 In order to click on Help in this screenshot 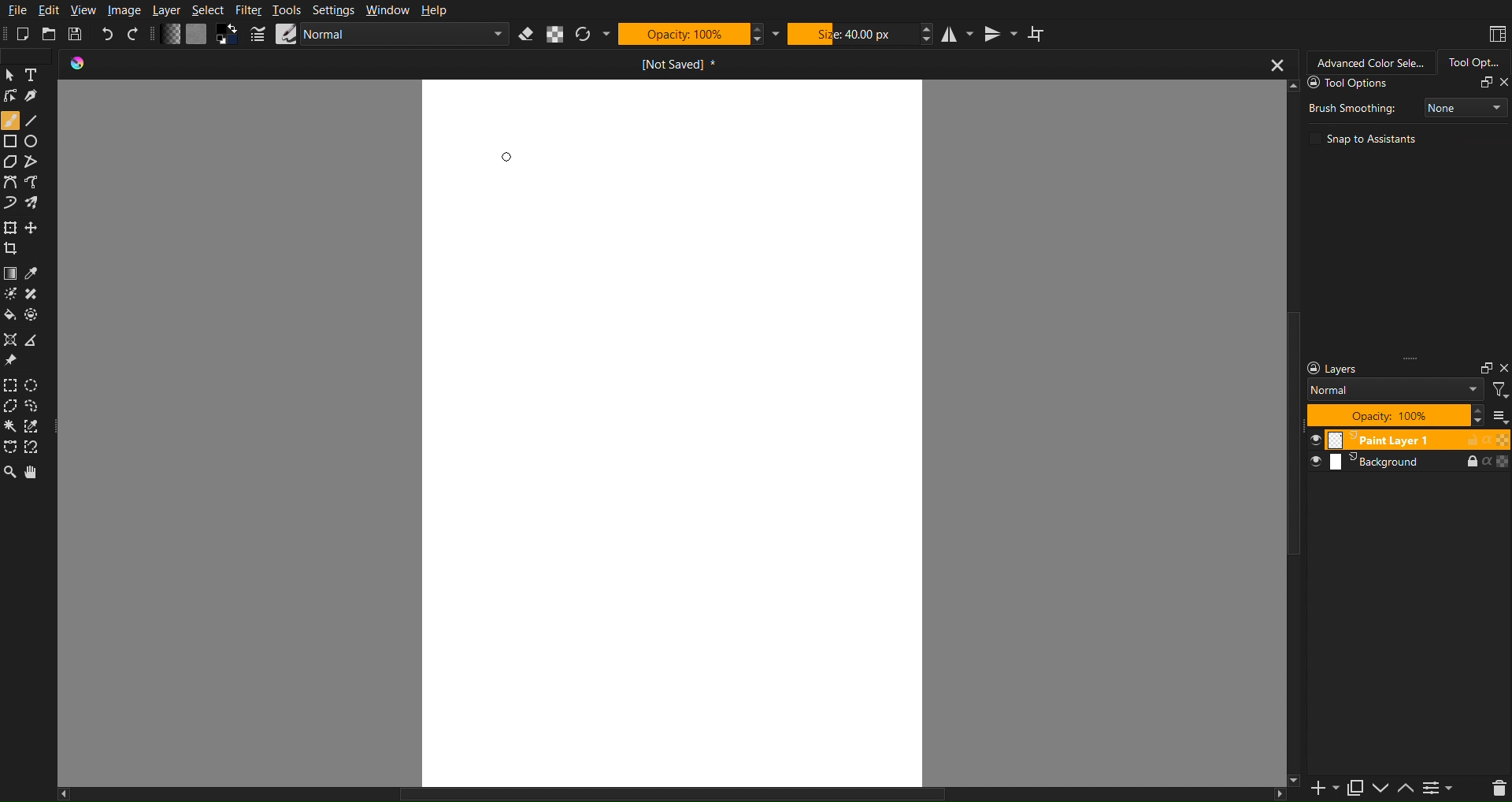, I will do `click(435, 9)`.